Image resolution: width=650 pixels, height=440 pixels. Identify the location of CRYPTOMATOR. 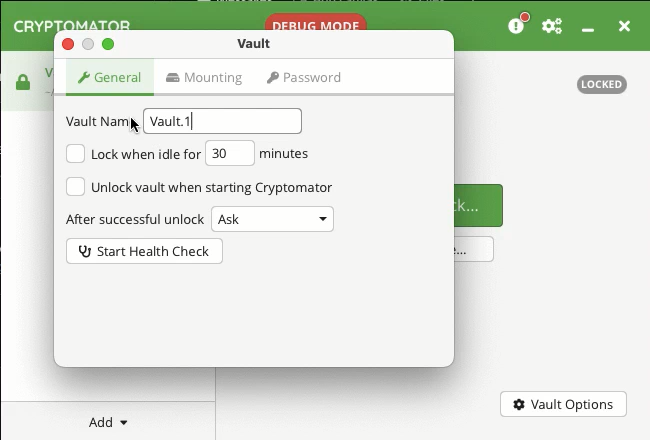
(73, 22).